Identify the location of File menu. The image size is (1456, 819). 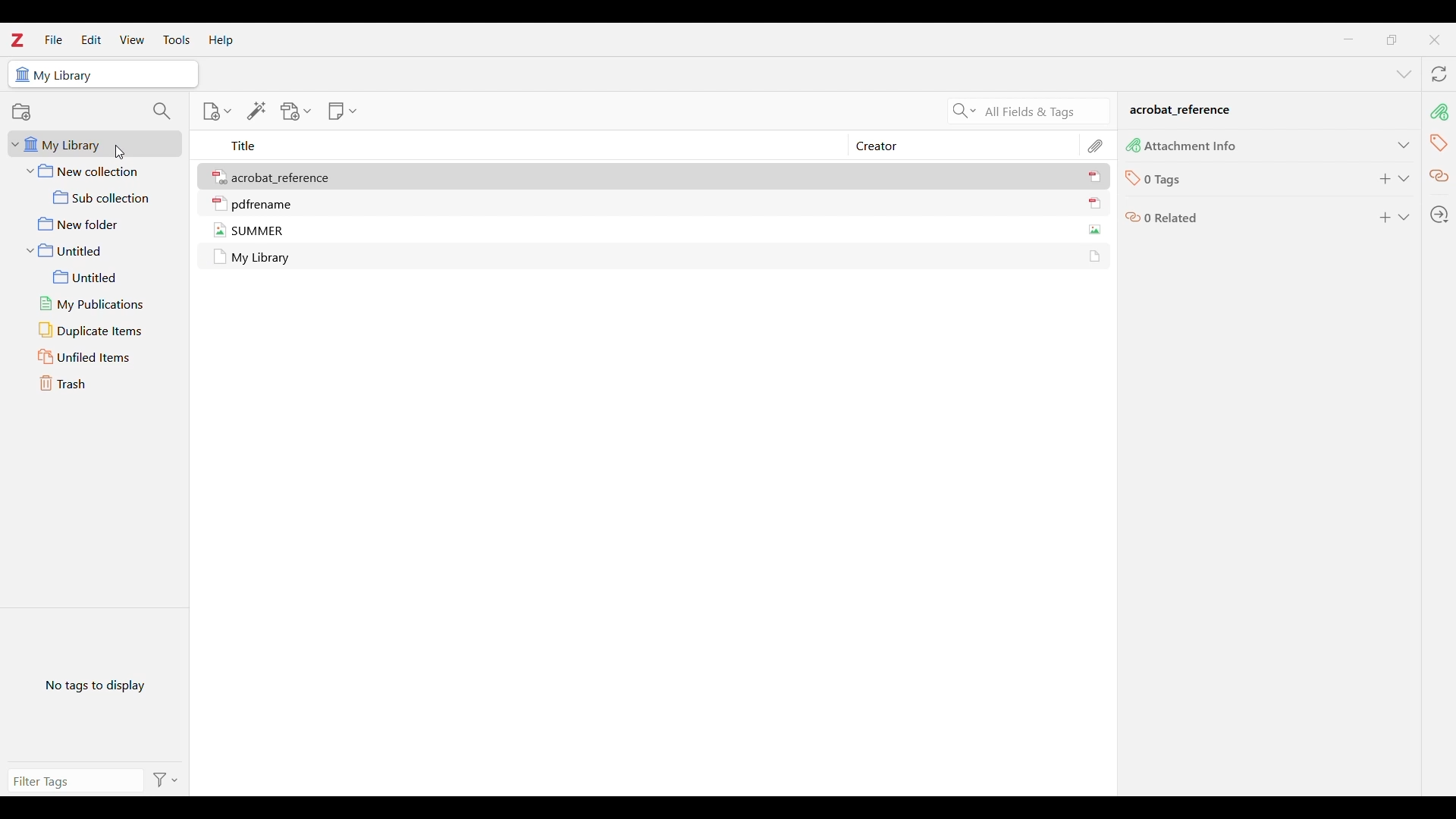
(54, 39).